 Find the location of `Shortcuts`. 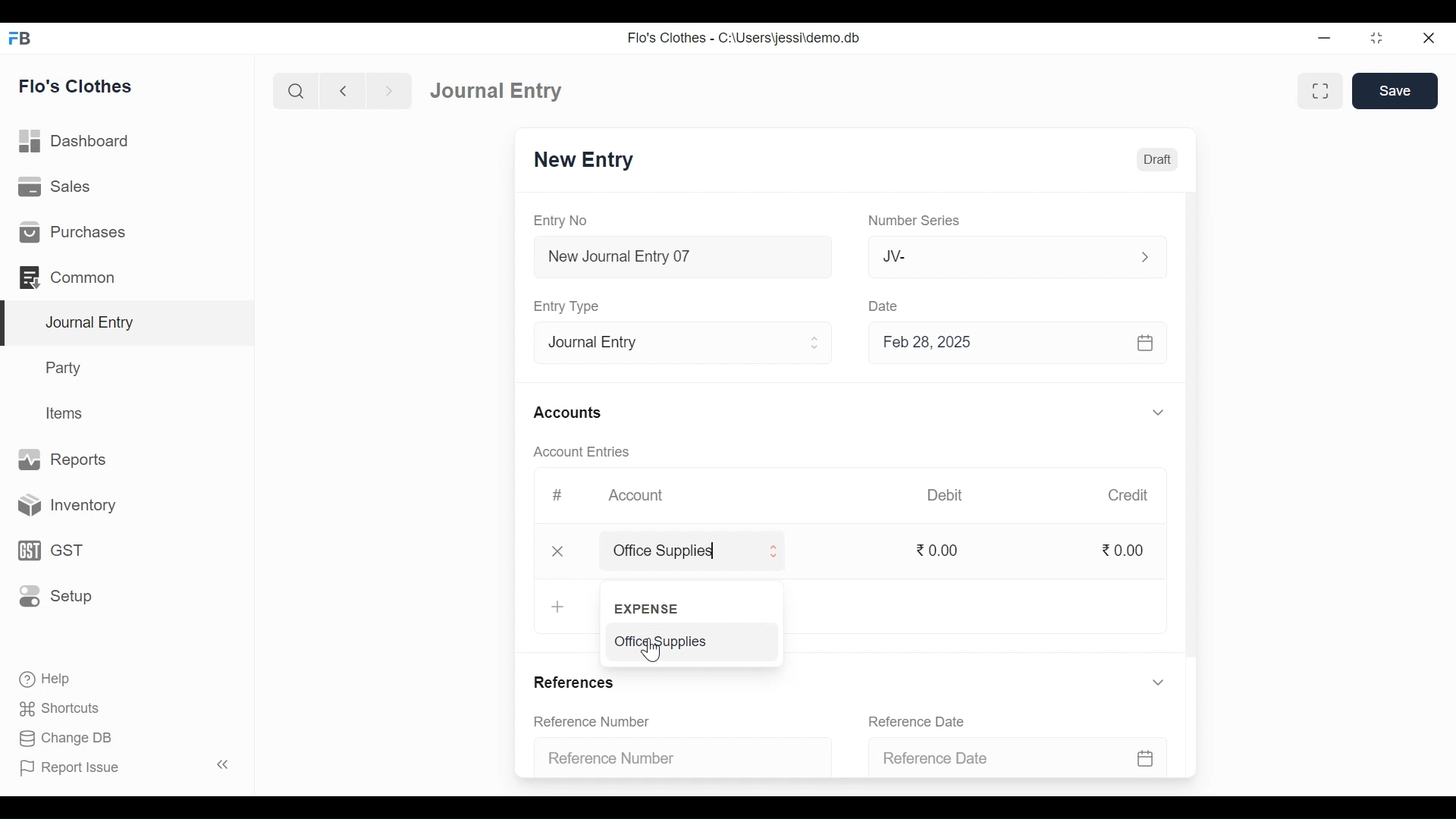

Shortcuts is located at coordinates (68, 706).